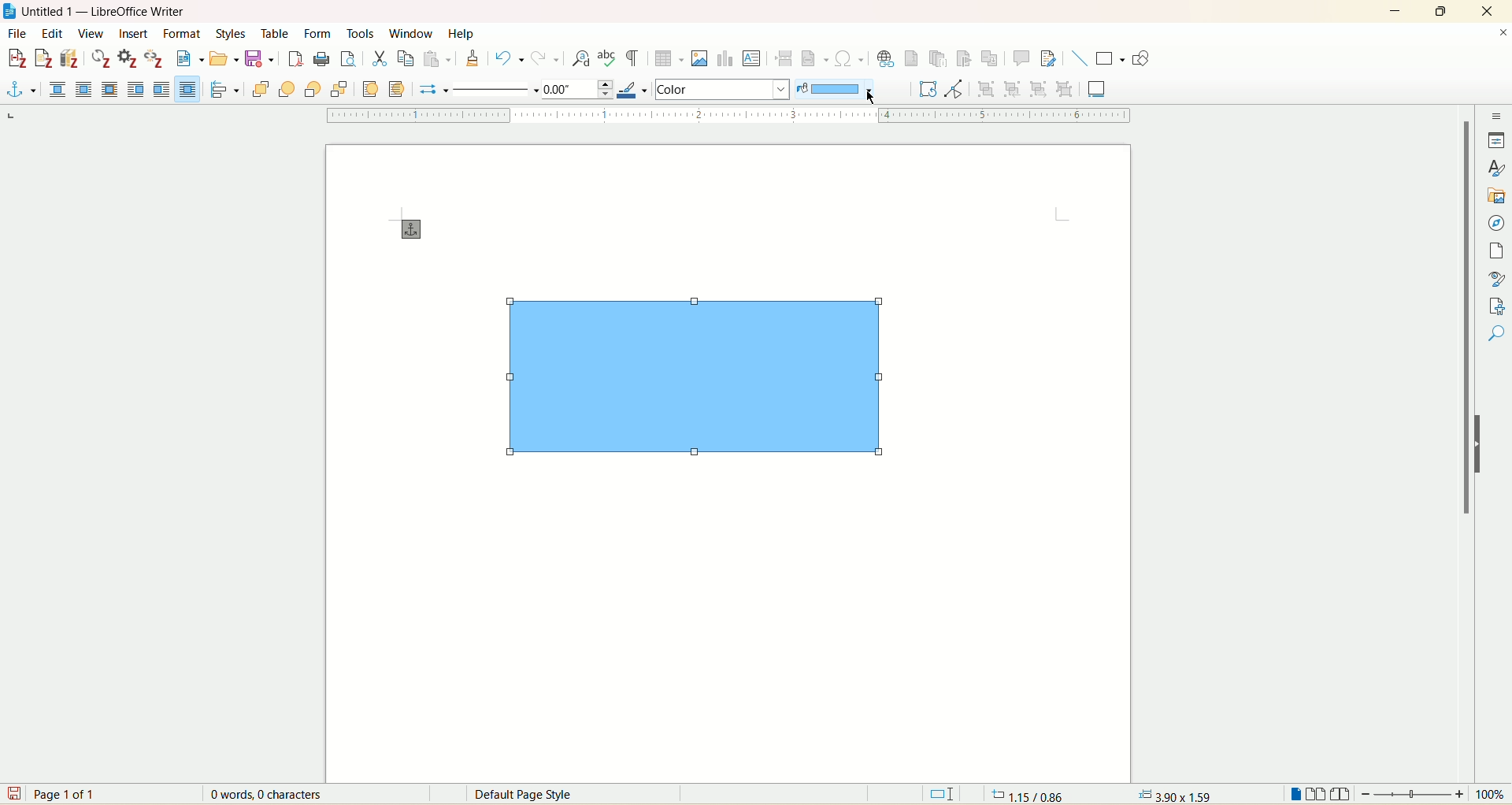  I want to click on add bibliography, so click(70, 59).